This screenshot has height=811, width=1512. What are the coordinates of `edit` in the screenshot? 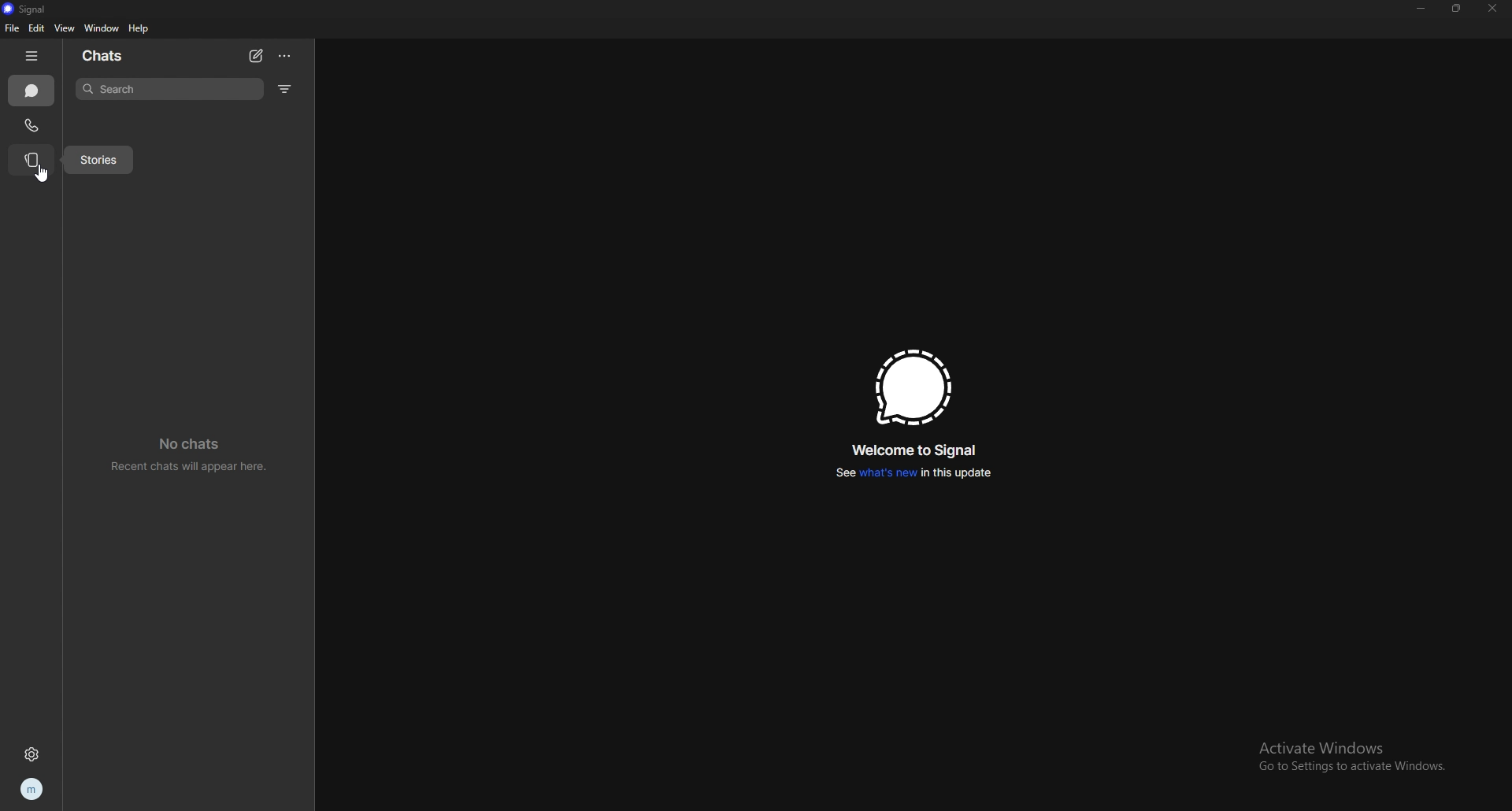 It's located at (36, 28).